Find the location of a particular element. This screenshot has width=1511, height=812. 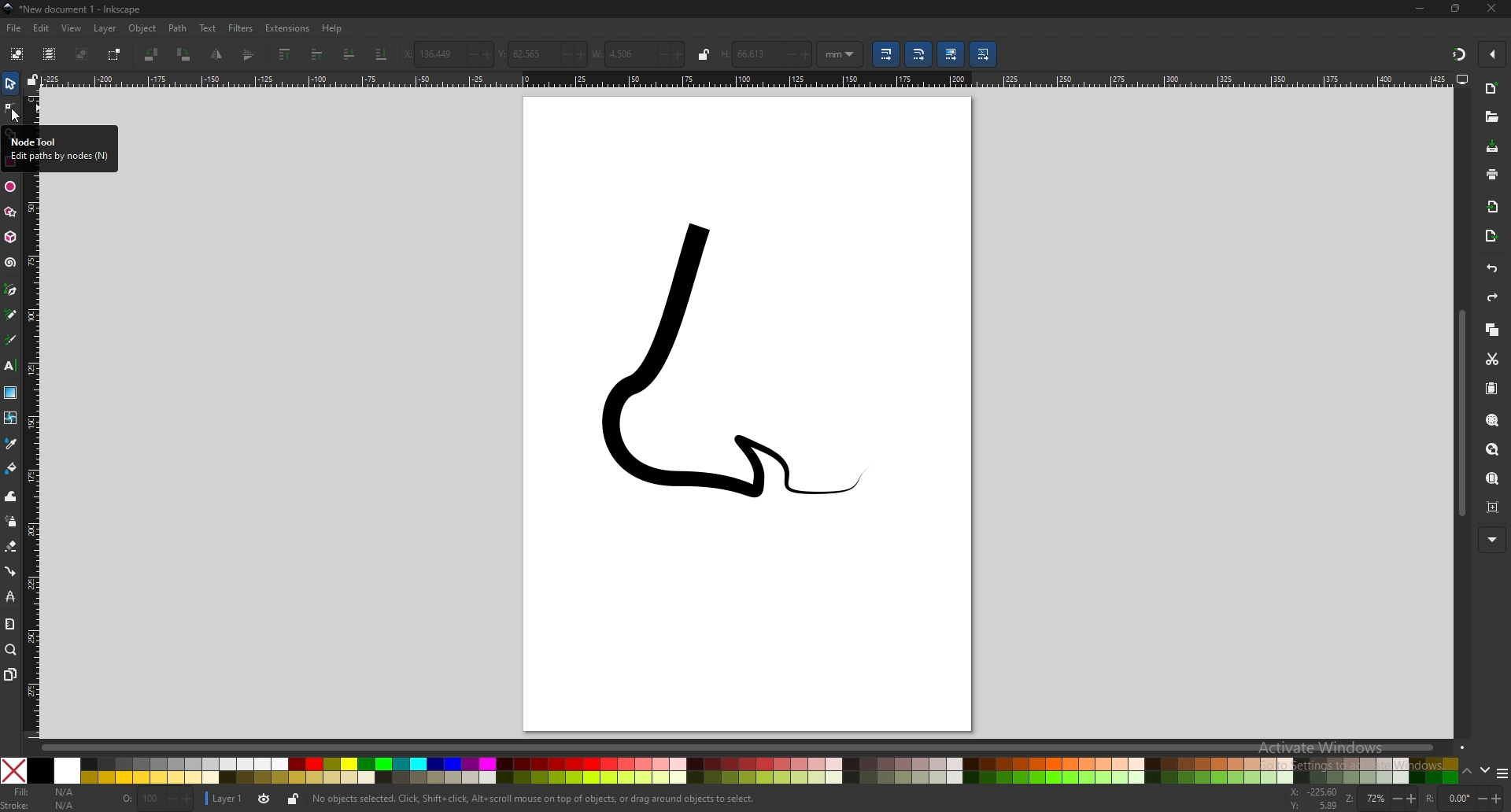

zoom drawing is located at coordinates (1491, 450).